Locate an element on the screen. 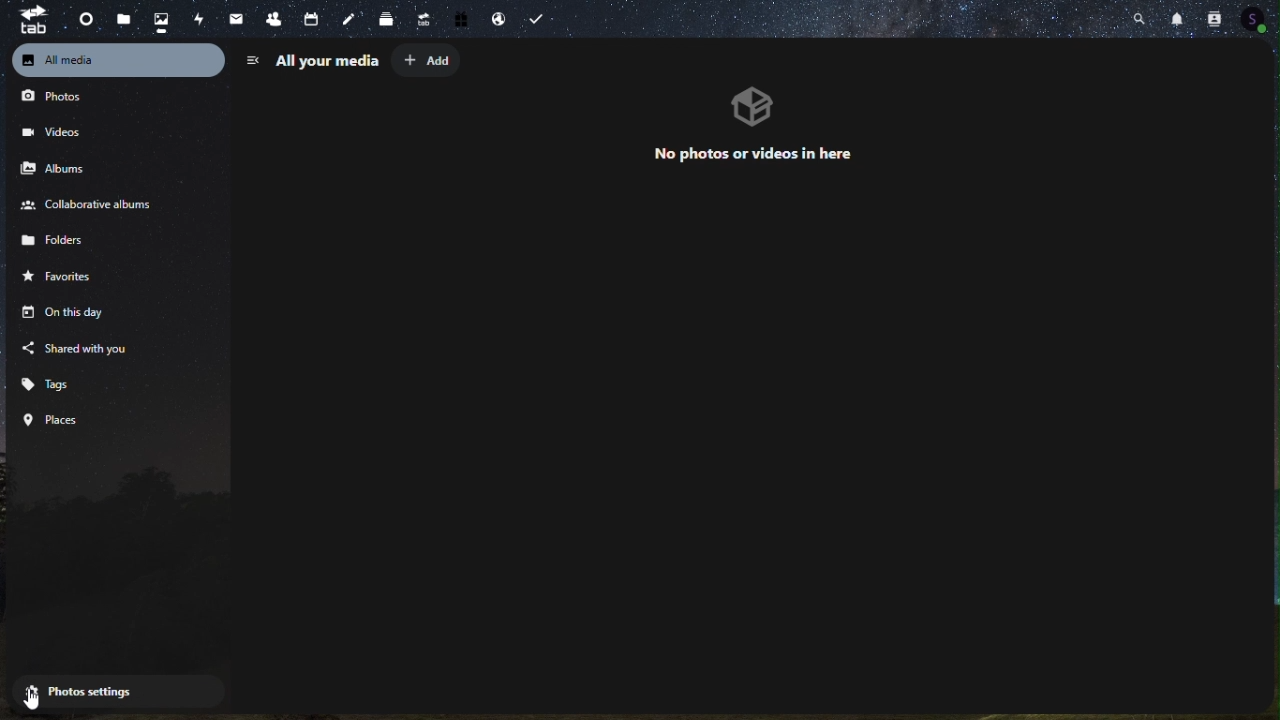 The image size is (1280, 720). task is located at coordinates (544, 17).